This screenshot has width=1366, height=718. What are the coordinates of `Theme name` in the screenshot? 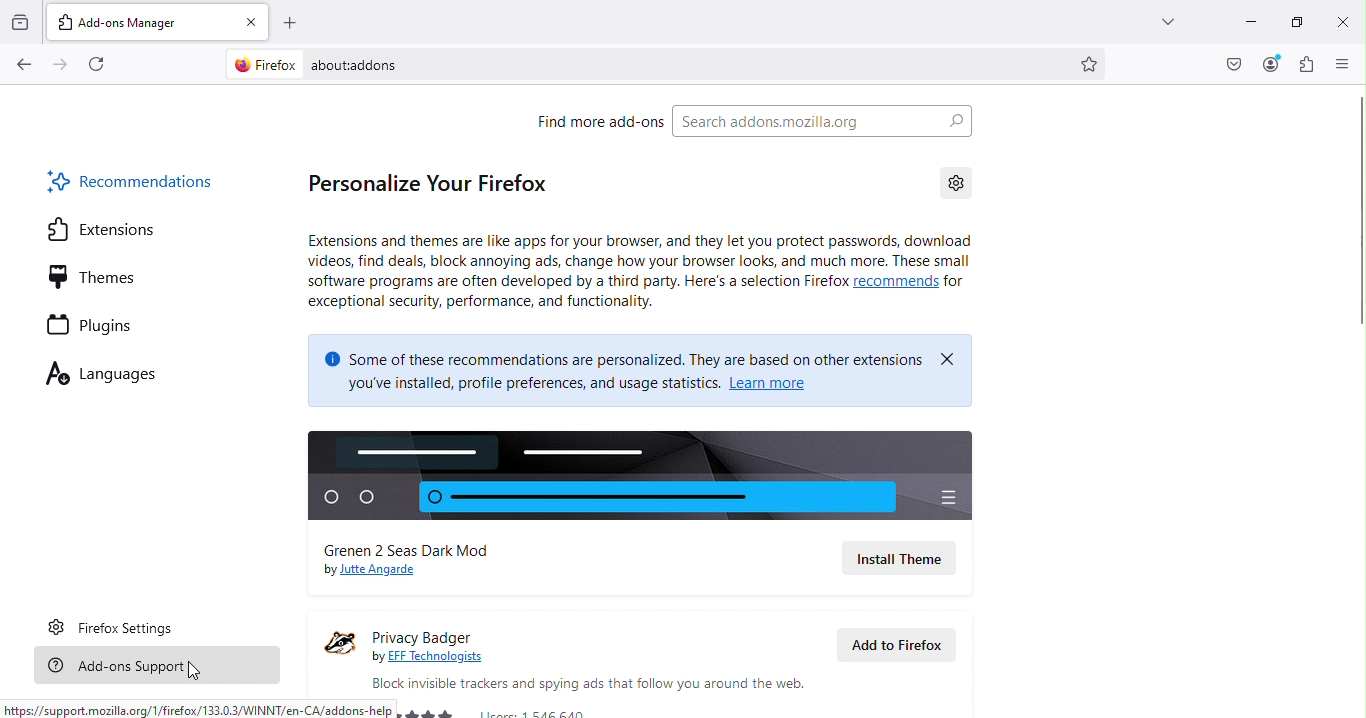 It's located at (430, 549).